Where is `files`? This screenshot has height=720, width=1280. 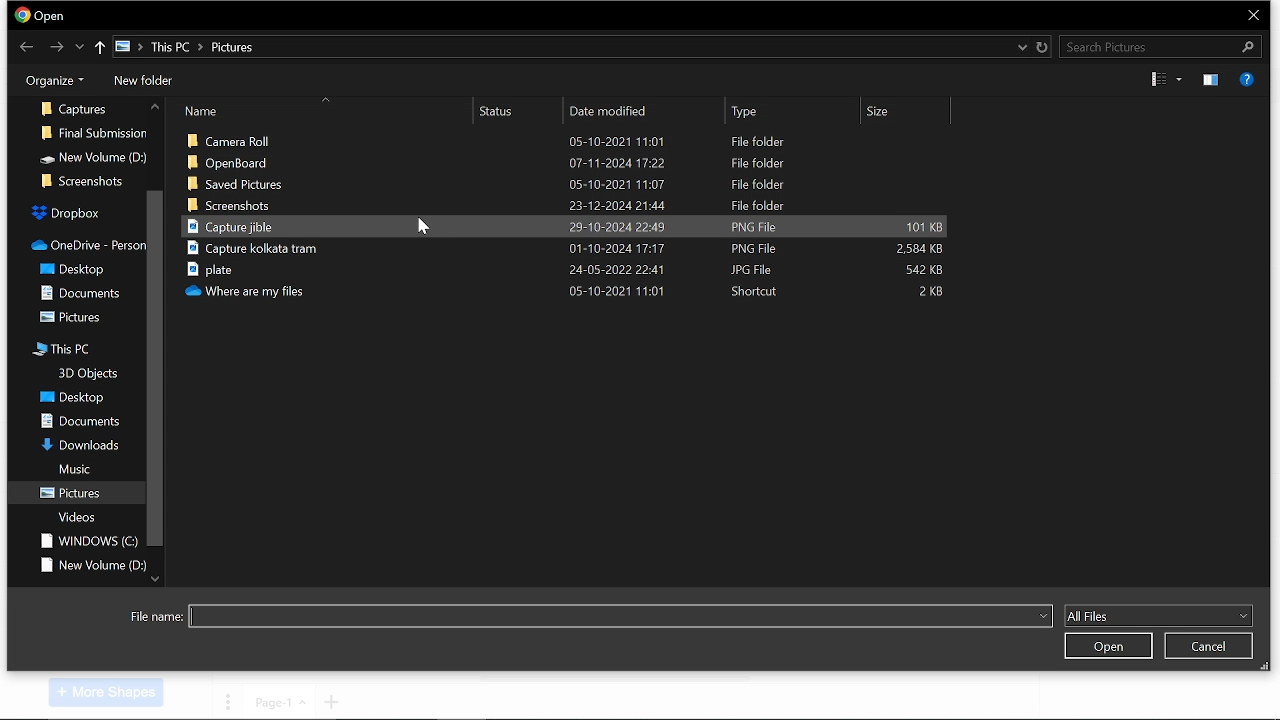
files is located at coordinates (568, 270).